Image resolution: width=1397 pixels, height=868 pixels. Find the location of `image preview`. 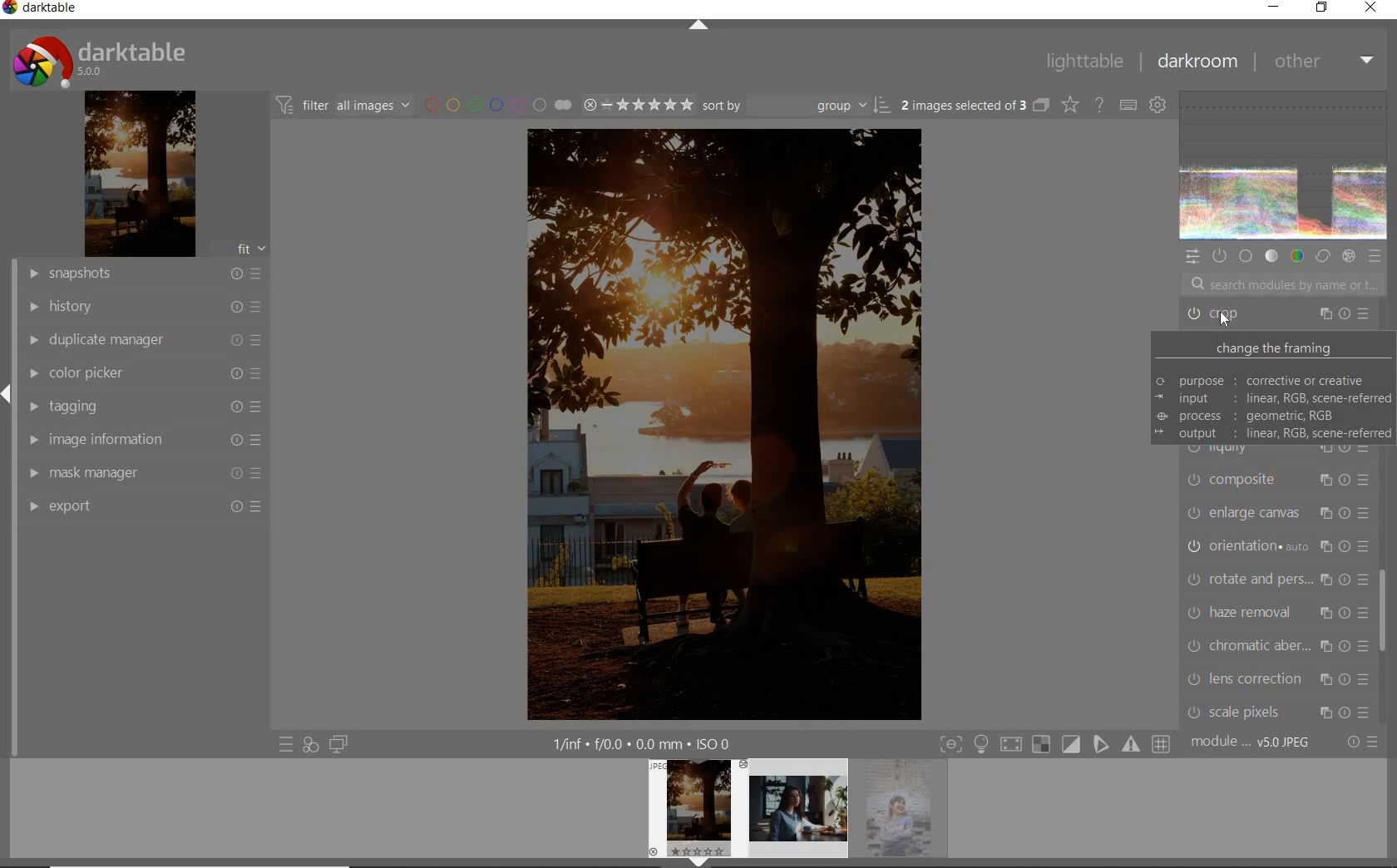

image preview is located at coordinates (797, 813).